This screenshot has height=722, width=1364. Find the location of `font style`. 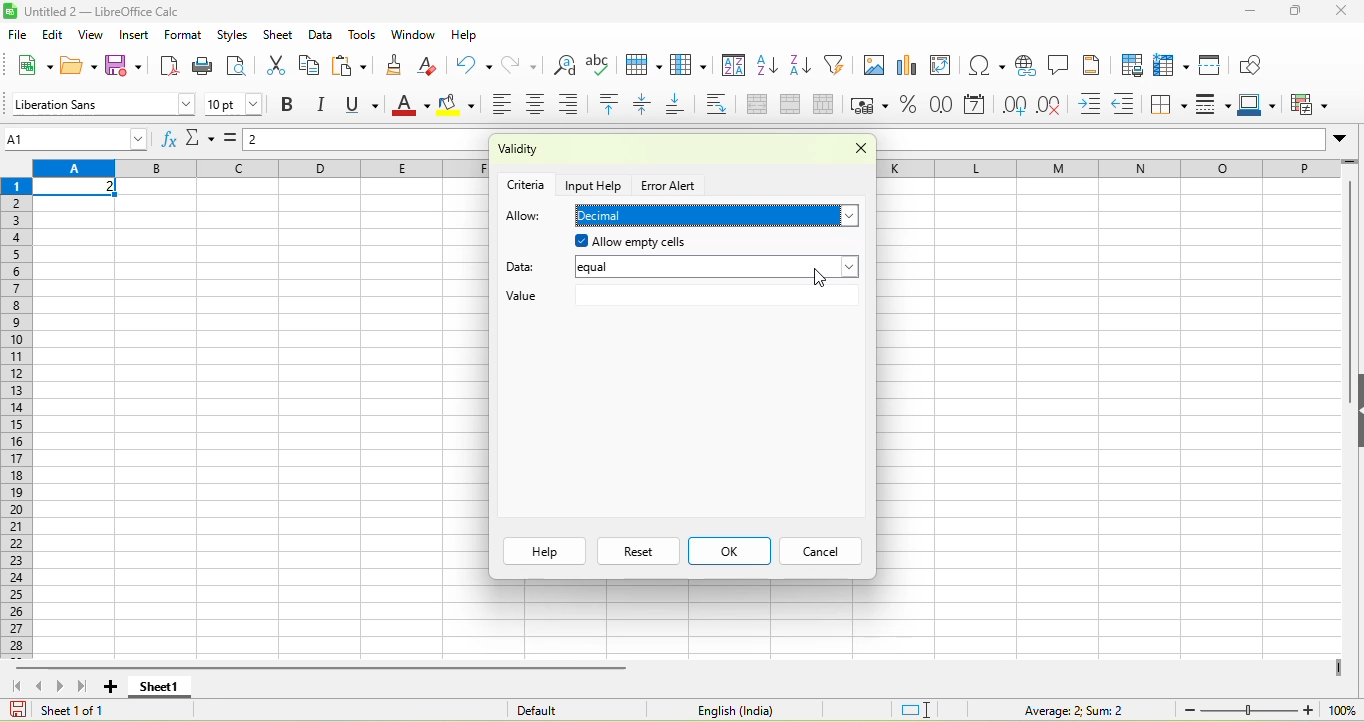

font style is located at coordinates (101, 103).